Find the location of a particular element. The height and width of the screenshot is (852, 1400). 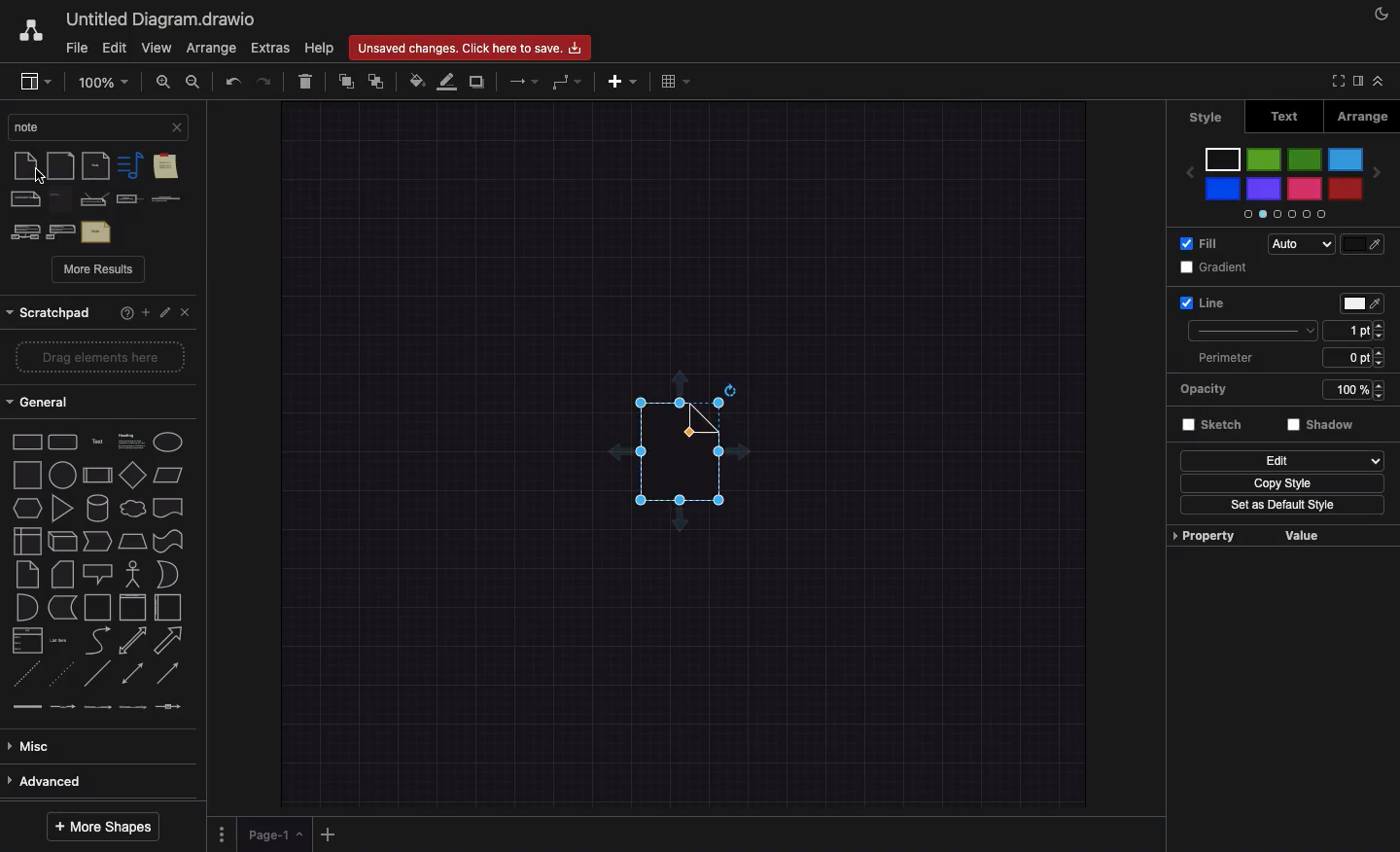

Full screen is located at coordinates (1337, 81).